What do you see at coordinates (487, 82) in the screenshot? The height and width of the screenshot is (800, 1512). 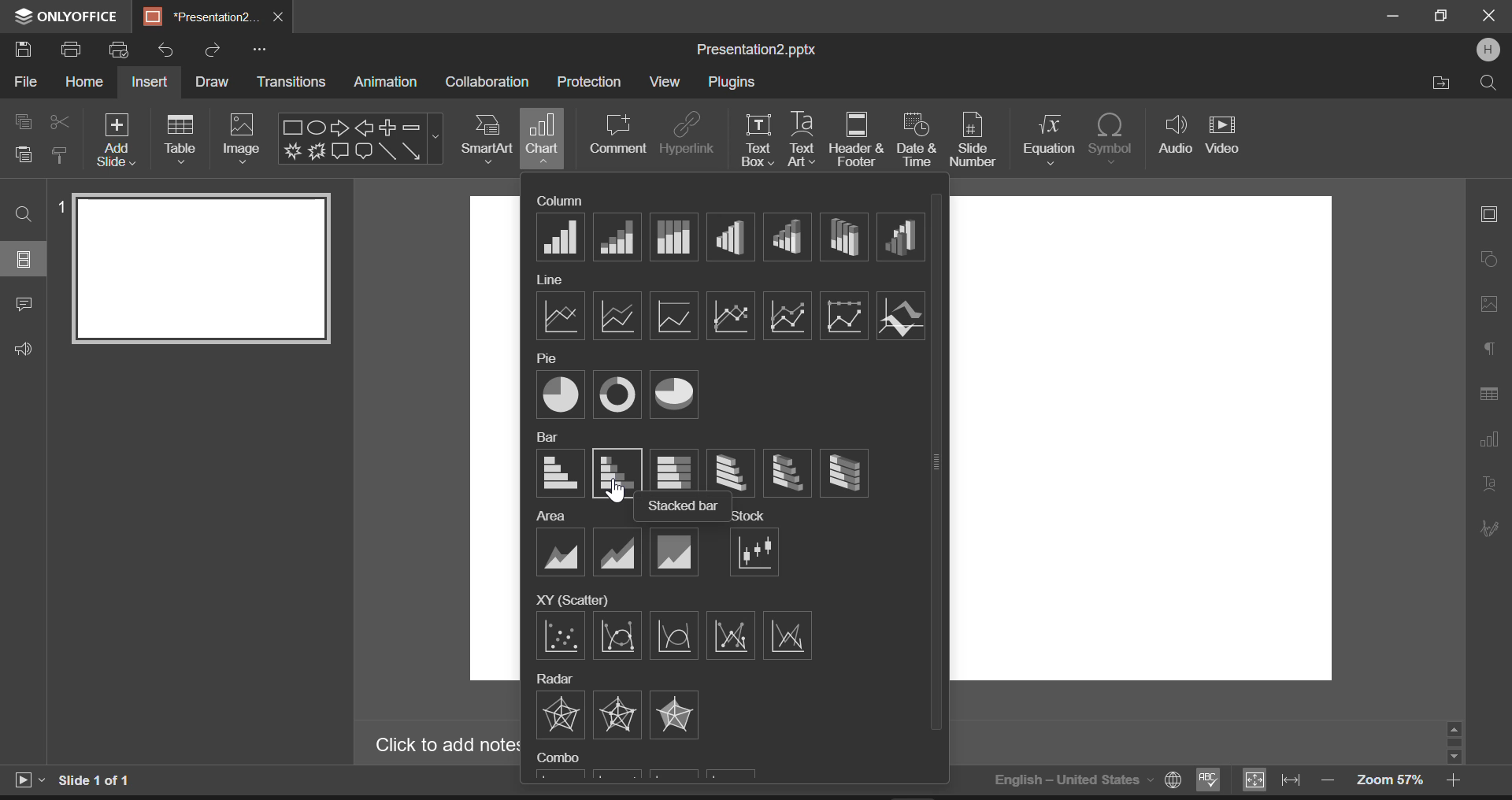 I see `Collaboration` at bounding box center [487, 82].